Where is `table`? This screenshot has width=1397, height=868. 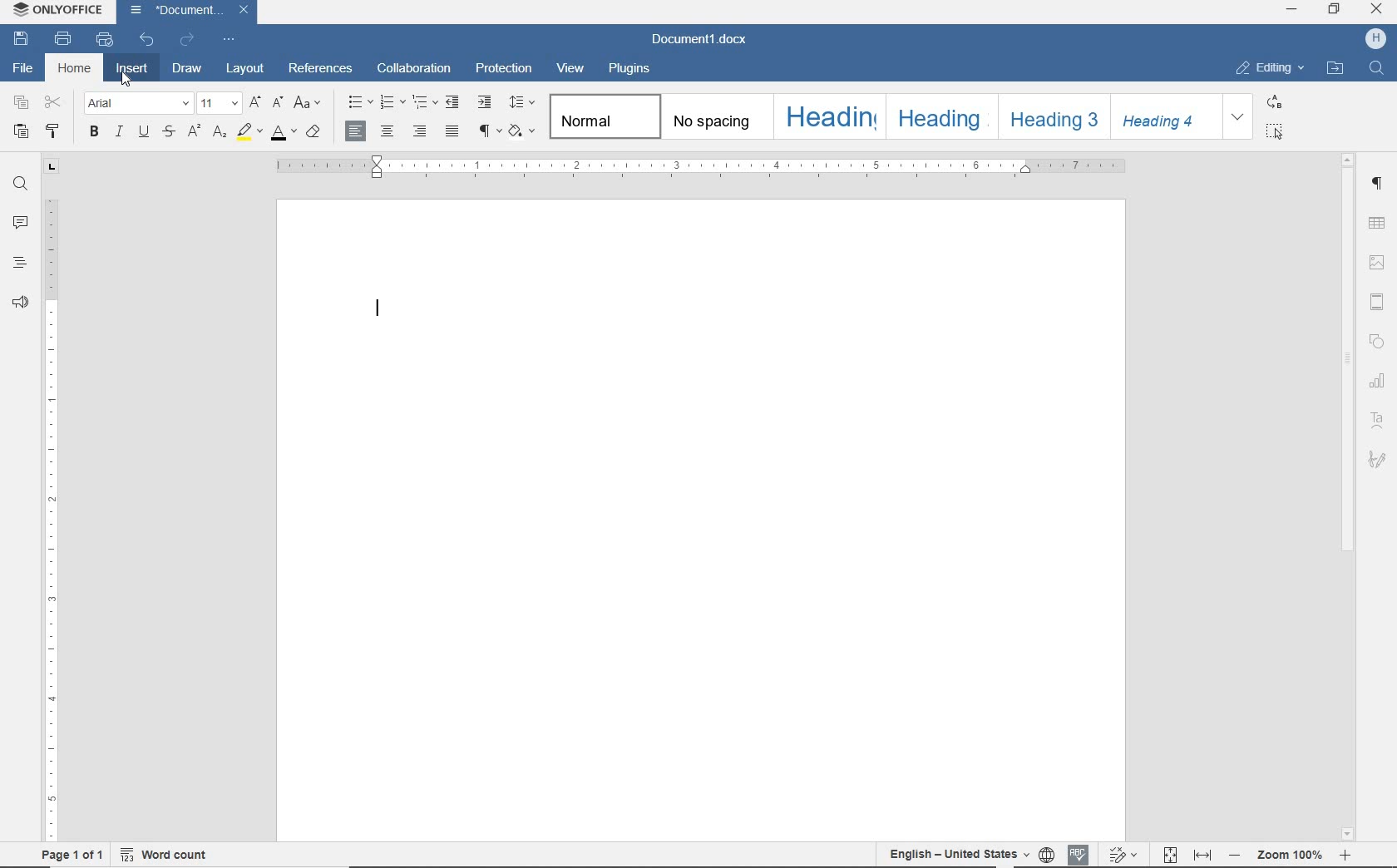 table is located at coordinates (1380, 221).